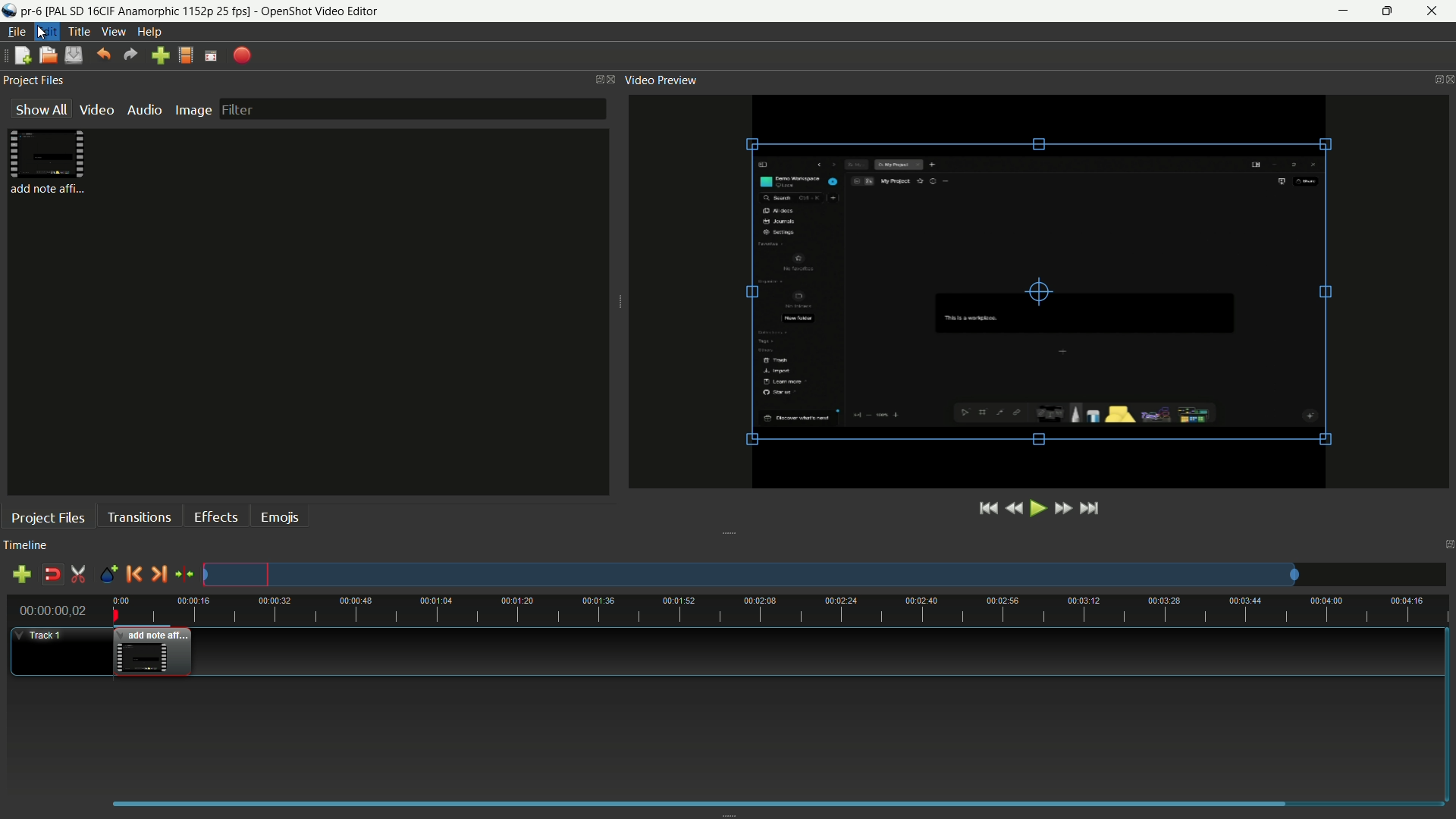  What do you see at coordinates (1345, 11) in the screenshot?
I see `minimize` at bounding box center [1345, 11].